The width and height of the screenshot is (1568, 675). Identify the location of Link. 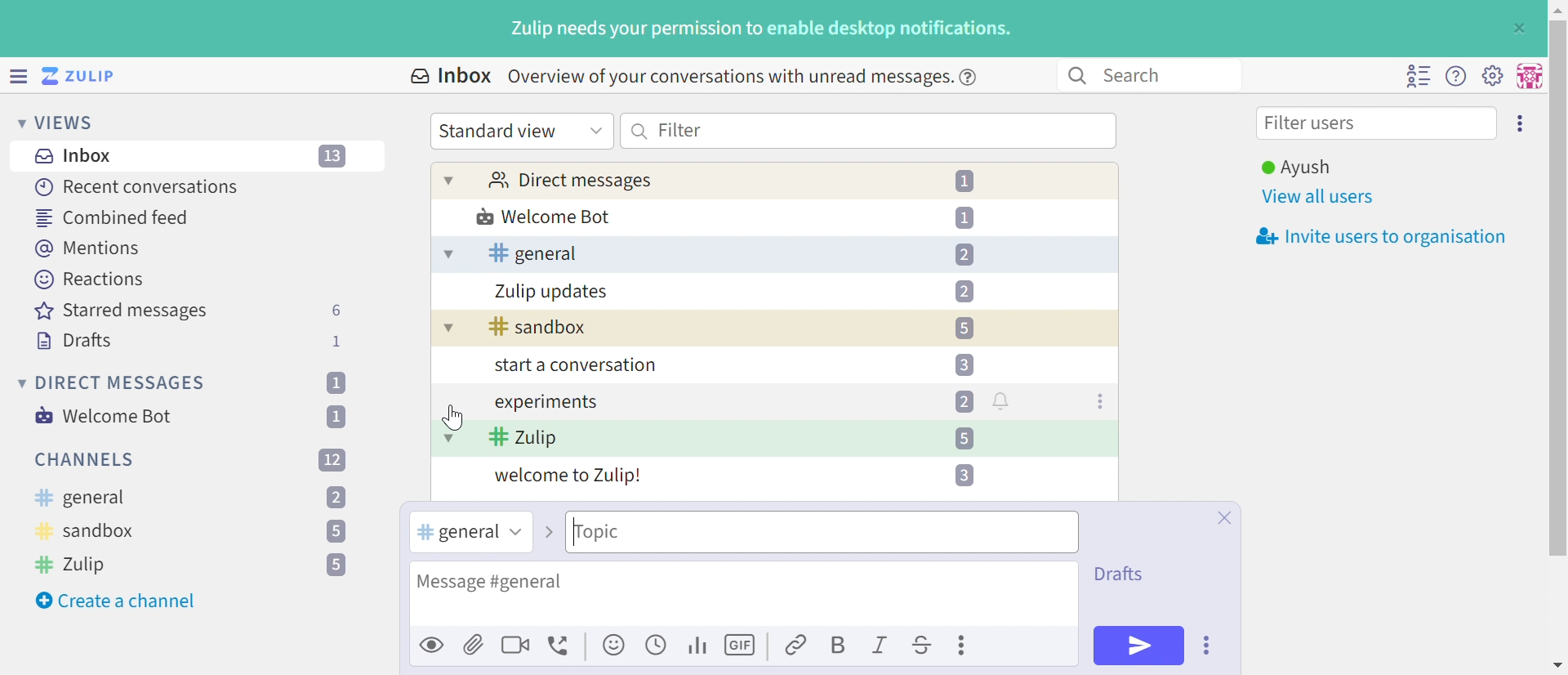
(797, 646).